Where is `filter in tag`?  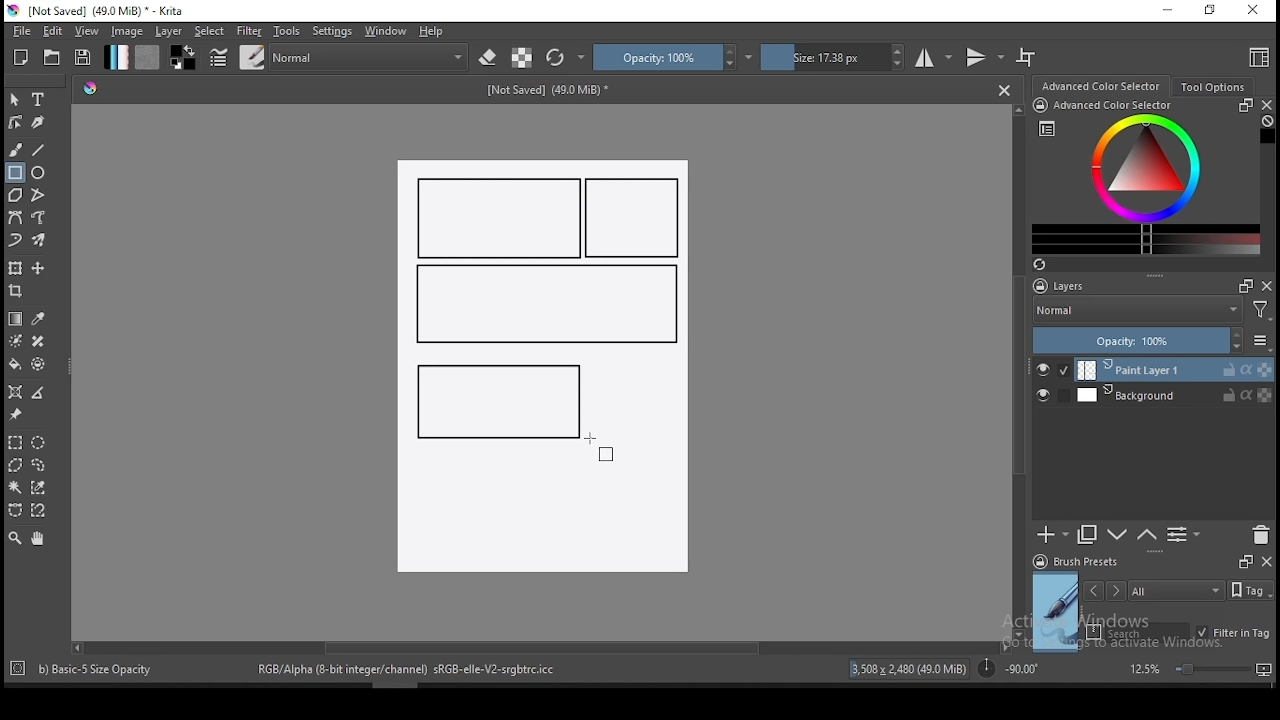
filter in tag is located at coordinates (1233, 634).